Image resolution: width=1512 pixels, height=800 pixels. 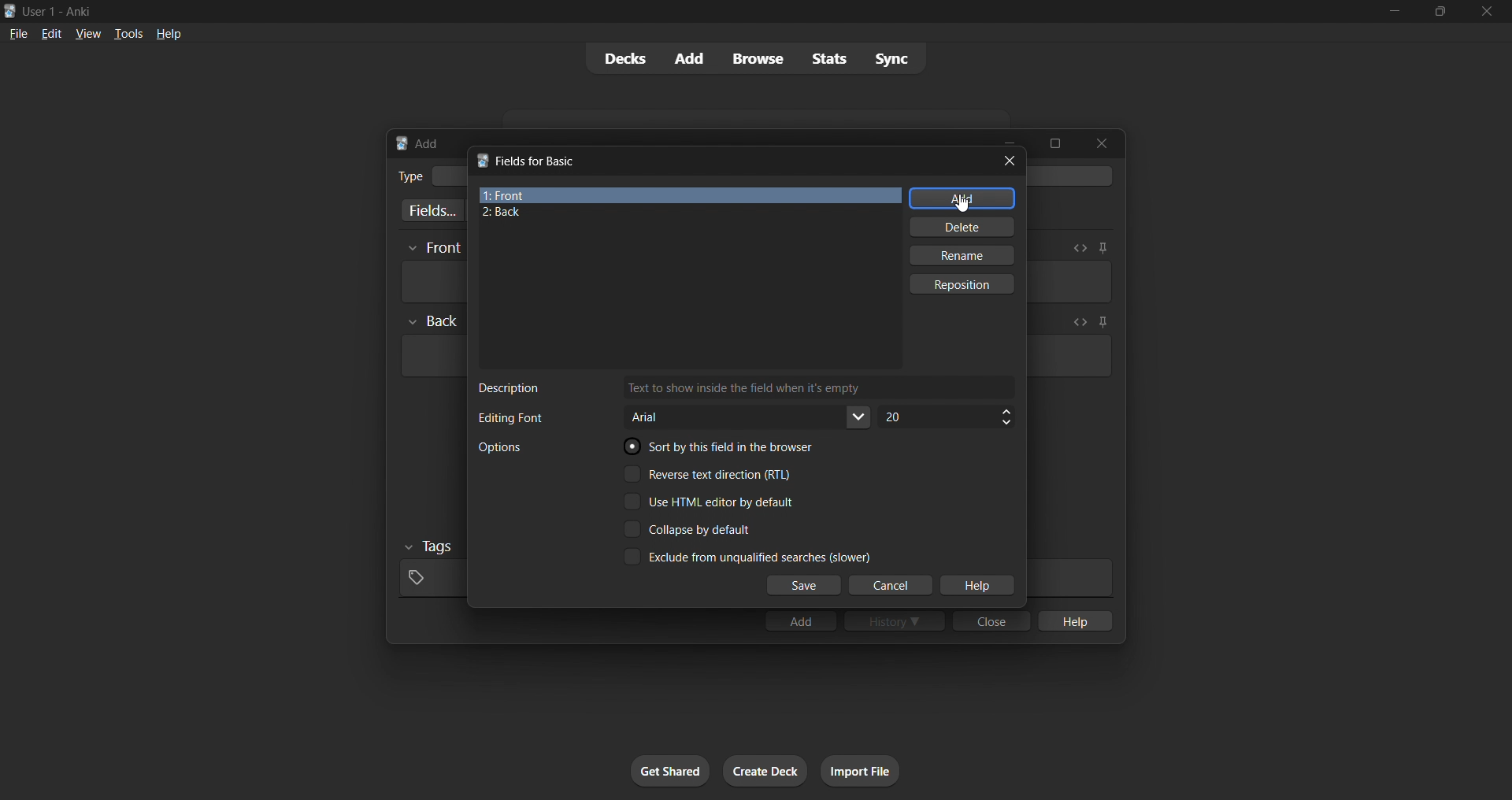 What do you see at coordinates (710, 473) in the screenshot?
I see `Toggle` at bounding box center [710, 473].